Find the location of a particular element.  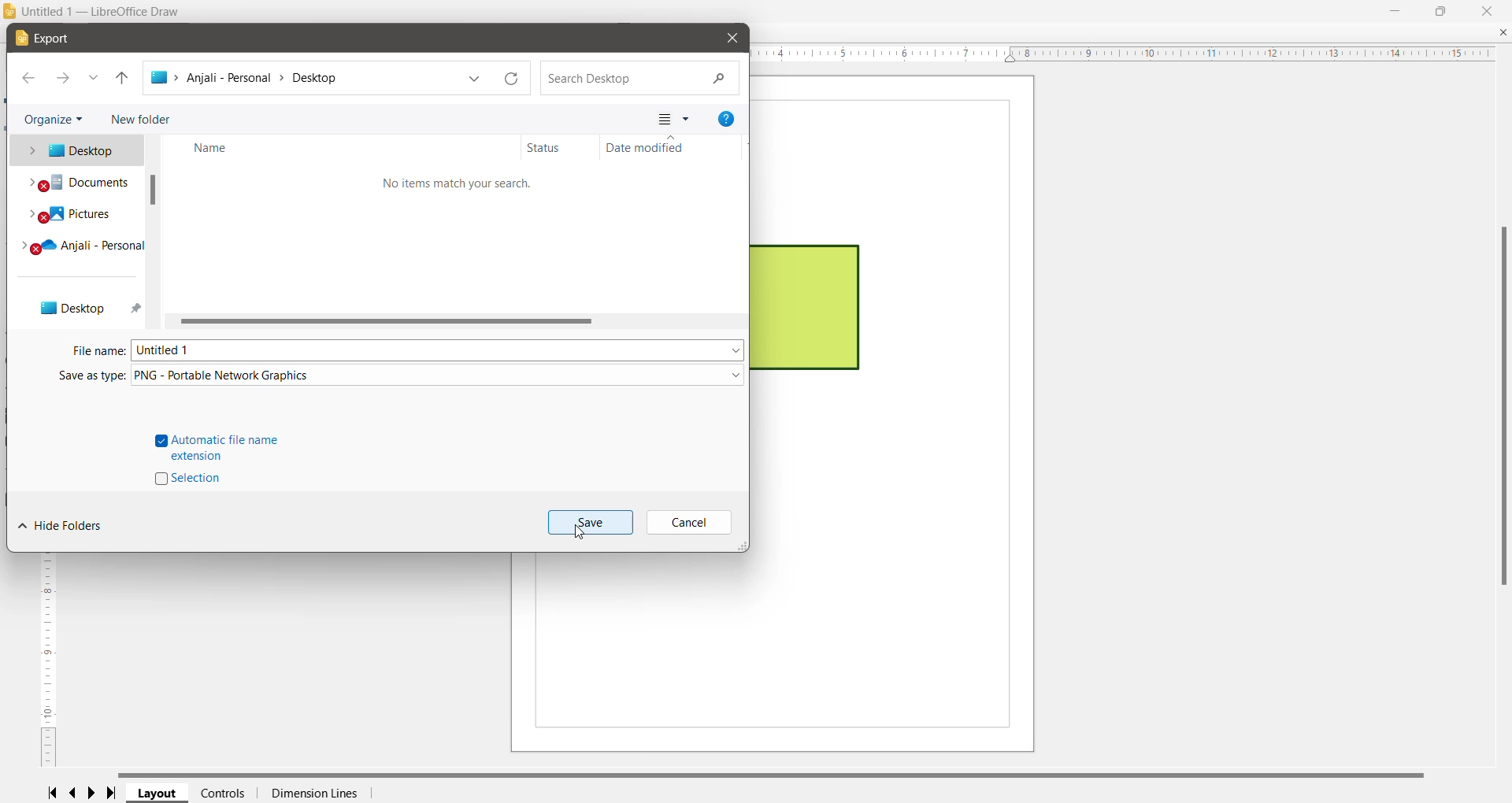

Organize is located at coordinates (55, 117).